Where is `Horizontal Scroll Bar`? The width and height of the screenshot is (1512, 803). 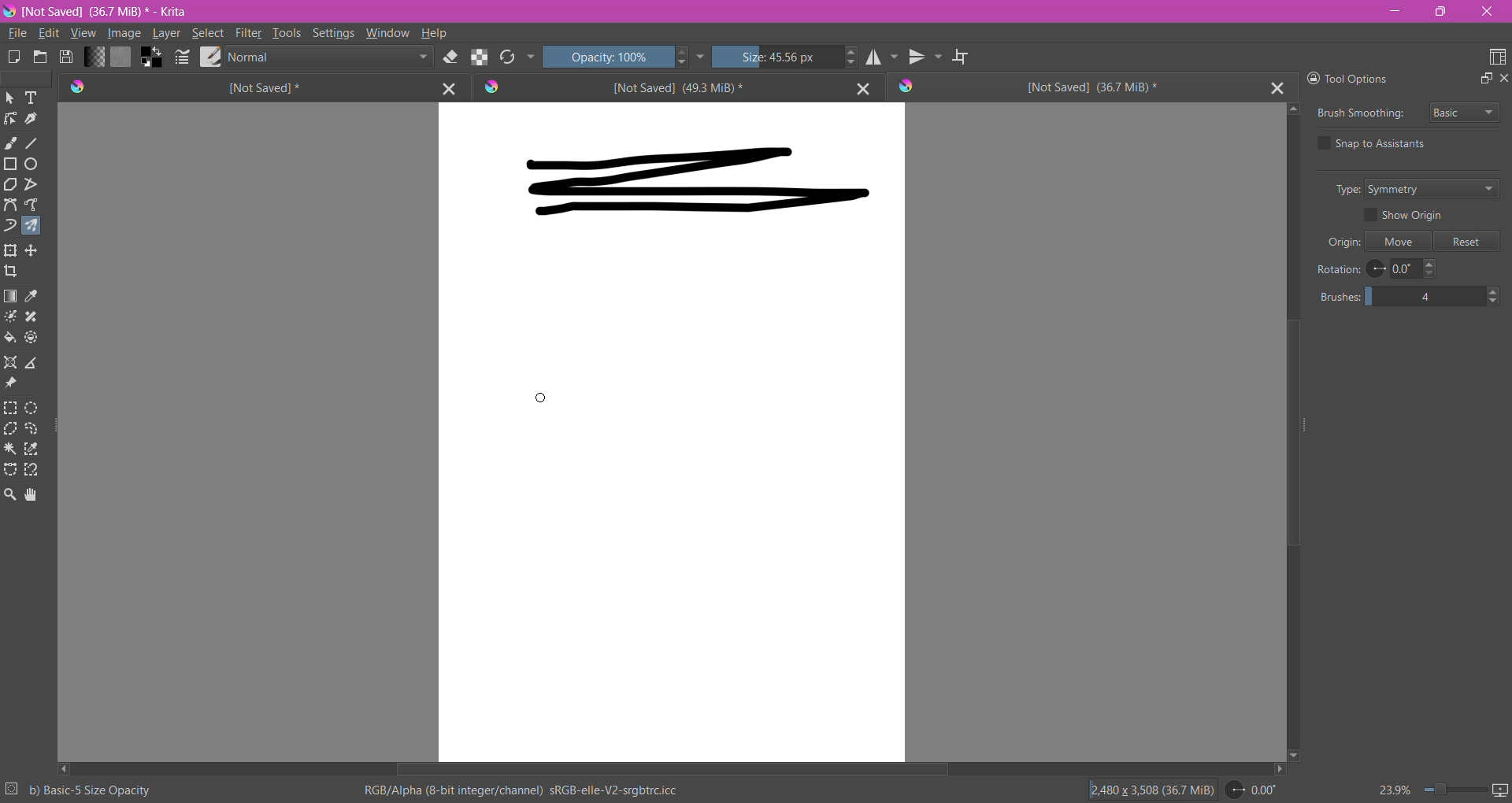
Horizontal Scroll Bar is located at coordinates (671, 770).